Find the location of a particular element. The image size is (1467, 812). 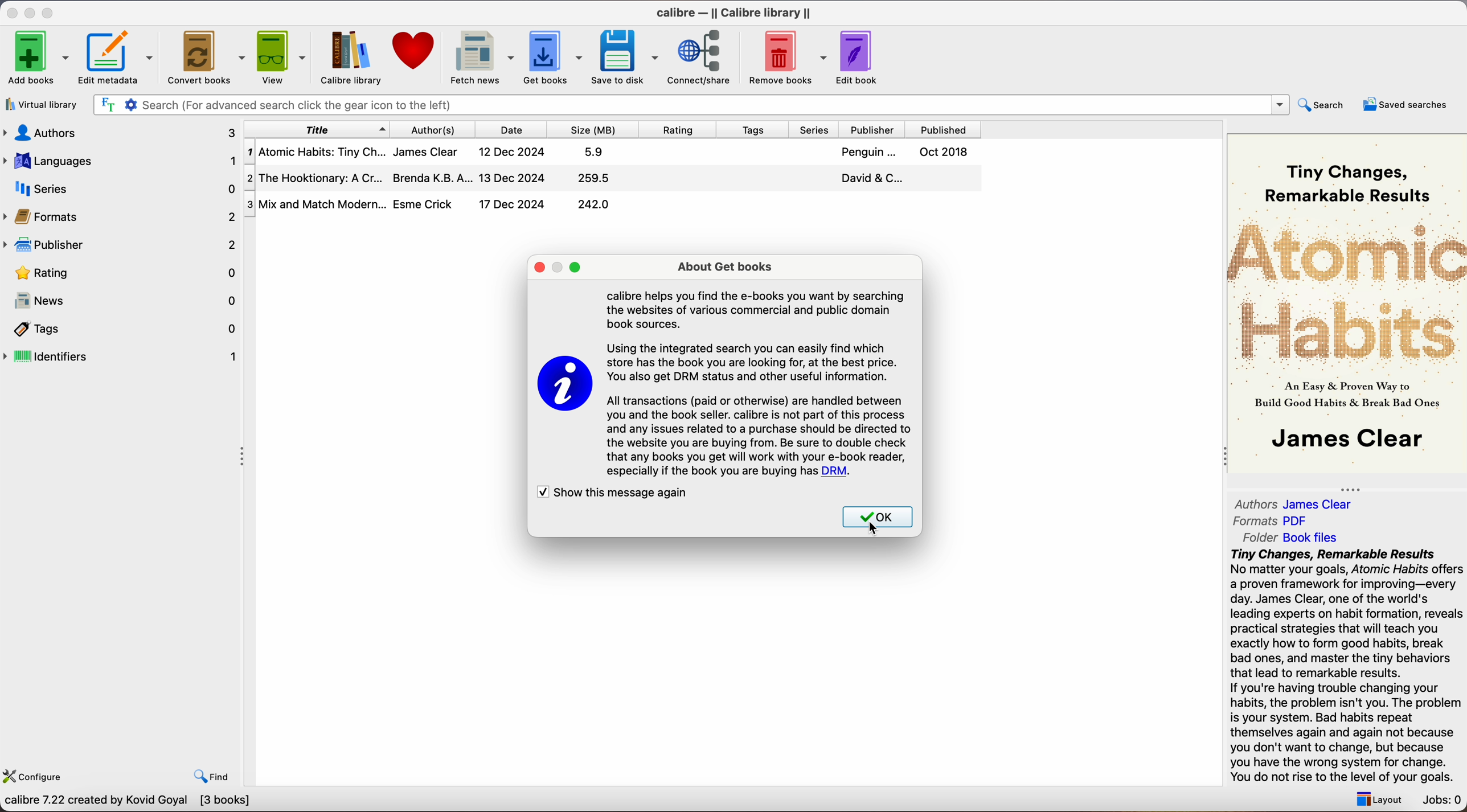

Esme Crick is located at coordinates (423, 204).